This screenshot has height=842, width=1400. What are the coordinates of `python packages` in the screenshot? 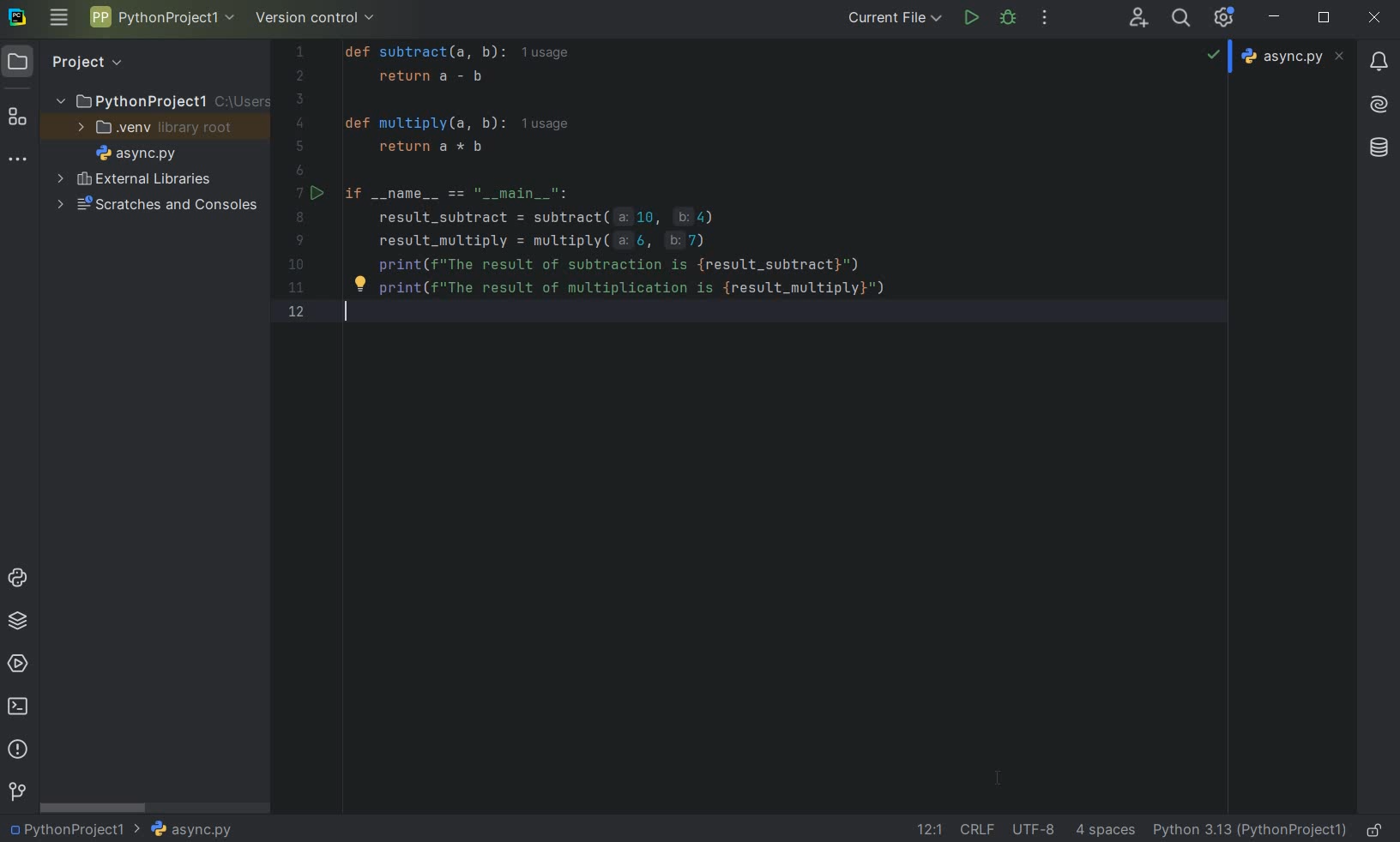 It's located at (21, 621).